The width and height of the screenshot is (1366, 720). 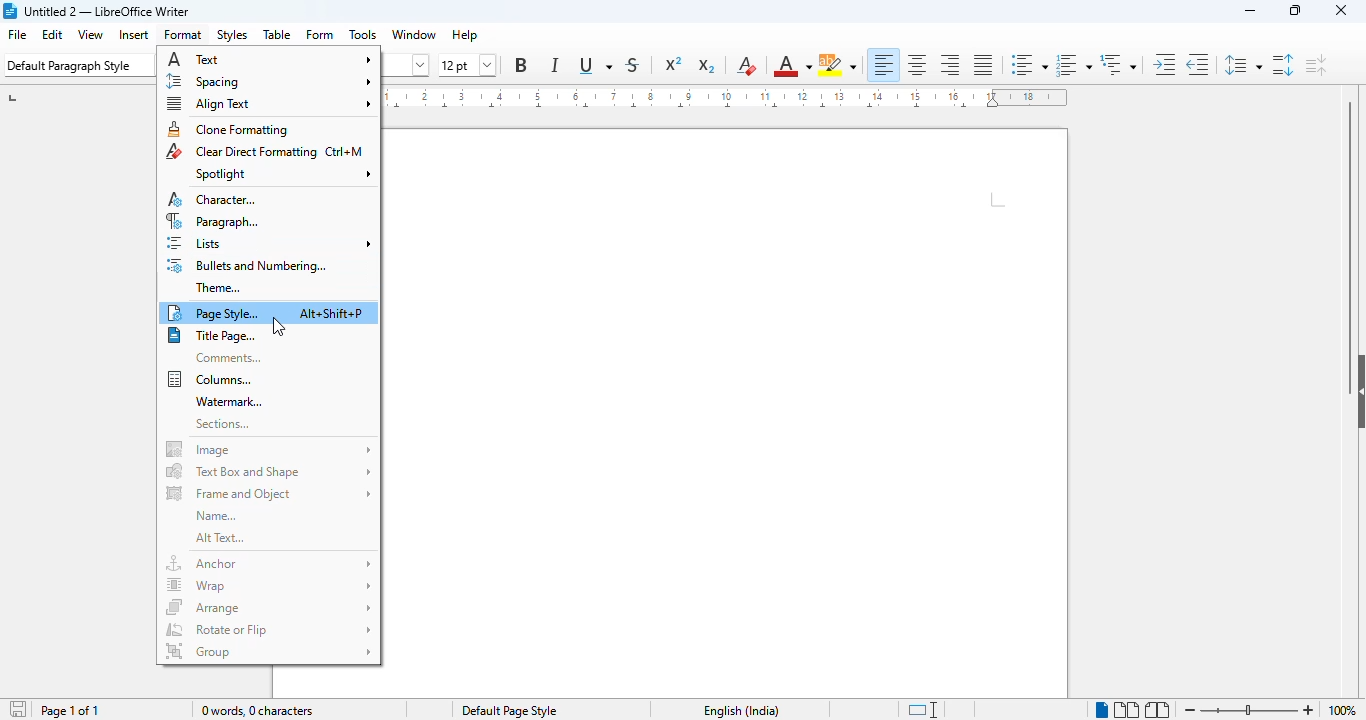 What do you see at coordinates (1308, 710) in the screenshot?
I see `zoom in` at bounding box center [1308, 710].